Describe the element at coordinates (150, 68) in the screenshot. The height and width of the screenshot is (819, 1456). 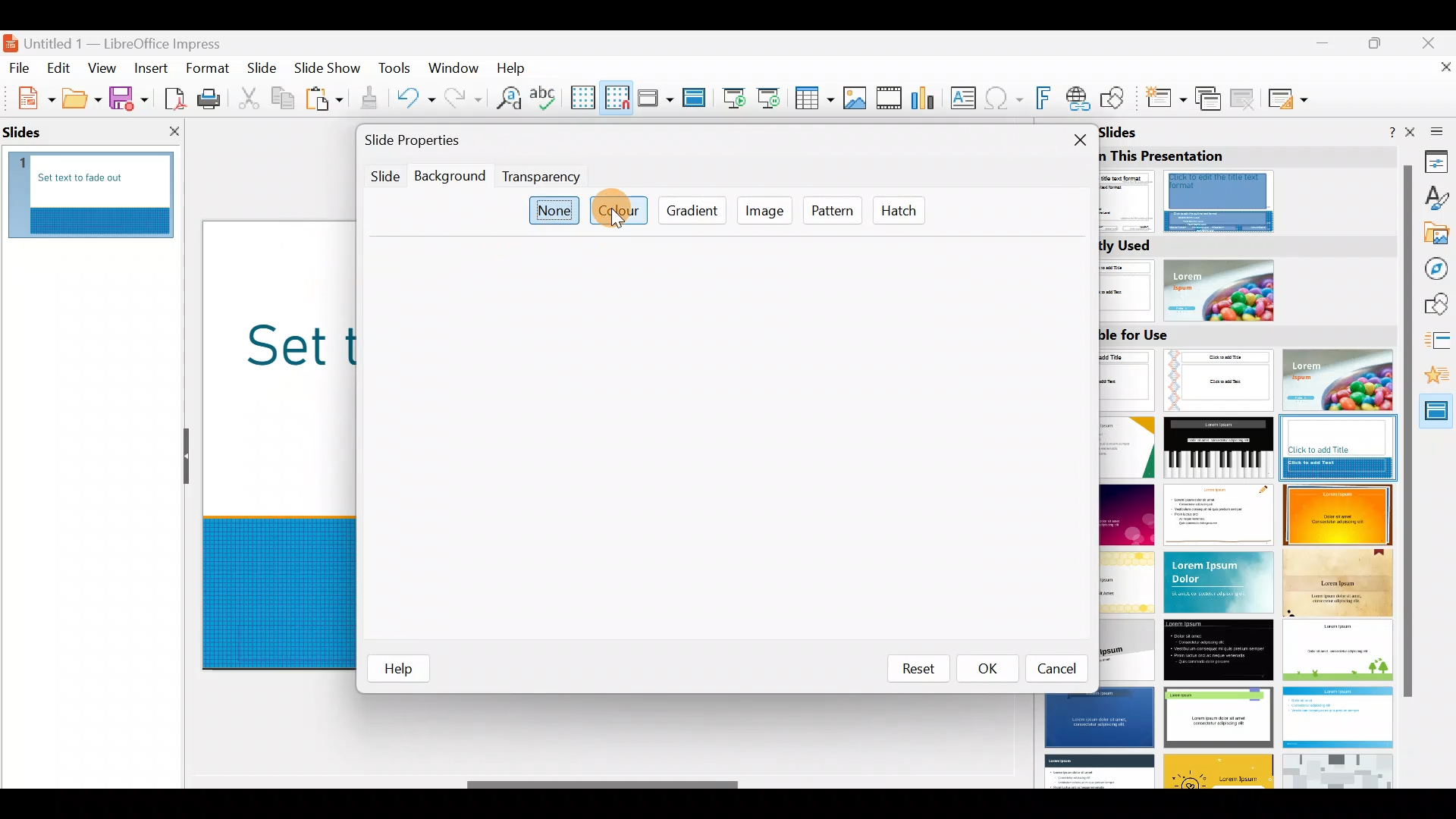
I see `Insert` at that location.